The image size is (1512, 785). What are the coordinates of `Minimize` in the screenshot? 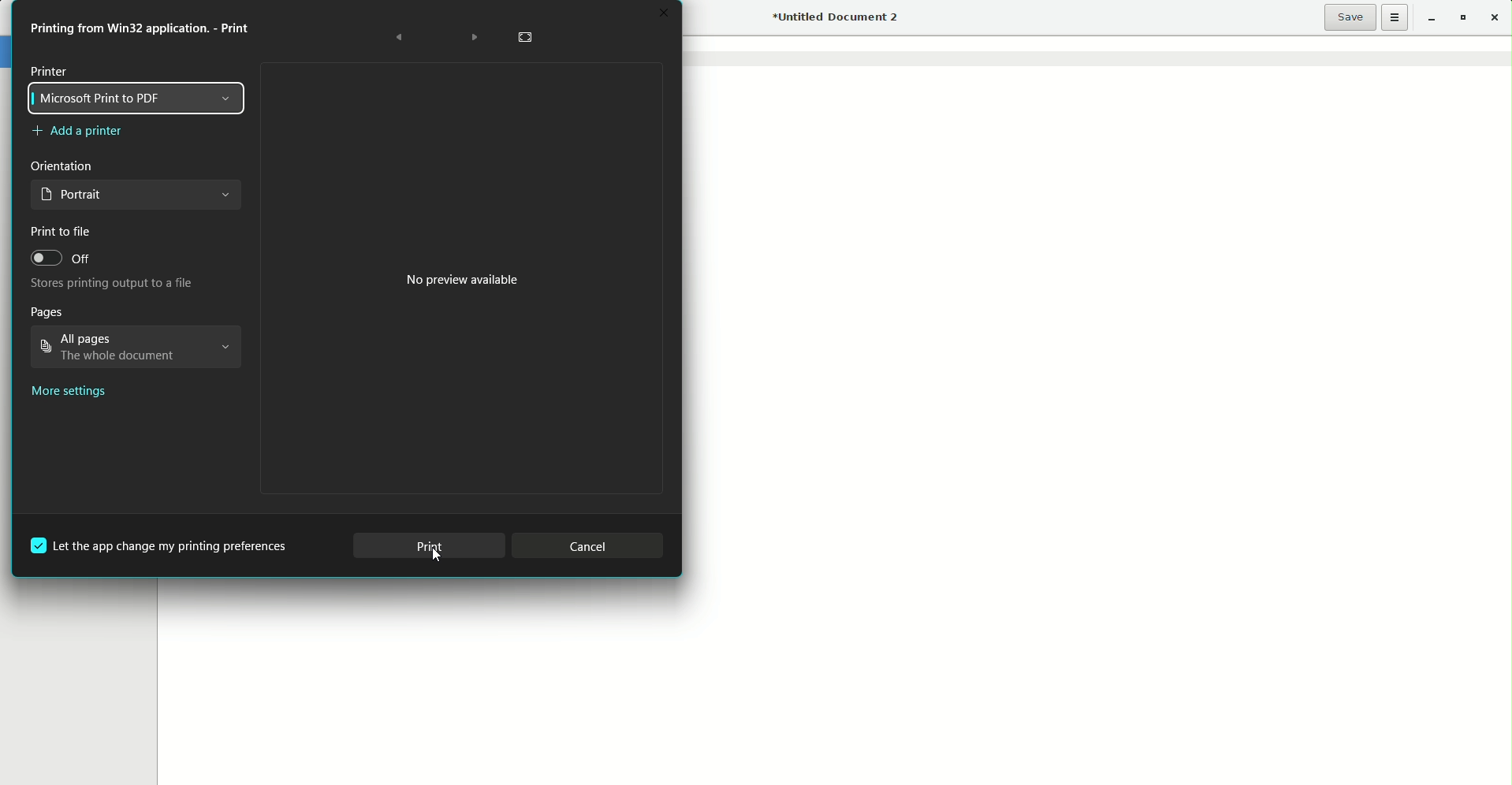 It's located at (1428, 17).